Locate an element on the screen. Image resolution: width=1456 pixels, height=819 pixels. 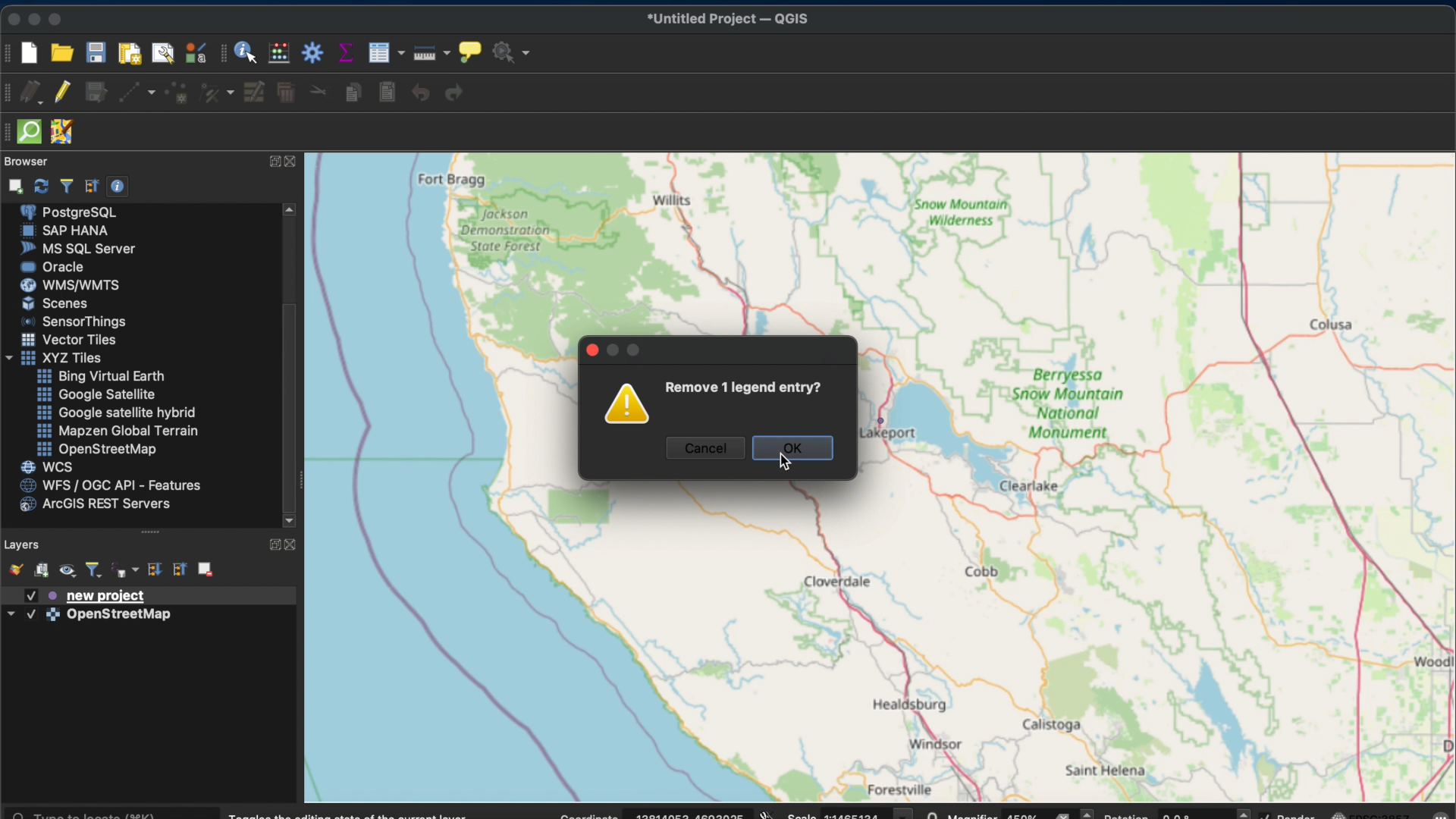
sensor. things is located at coordinates (69, 321).